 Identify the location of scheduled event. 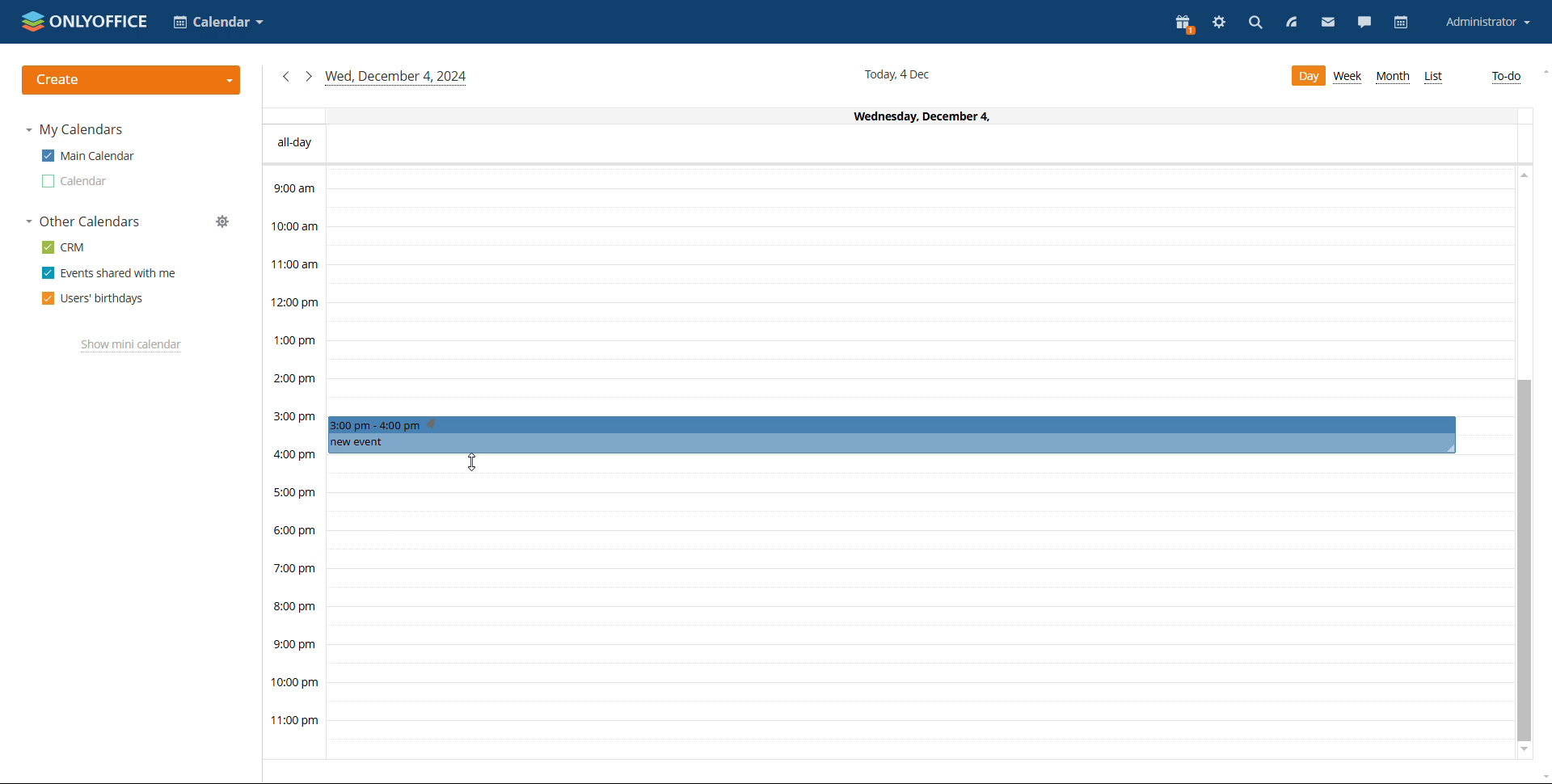
(890, 435).